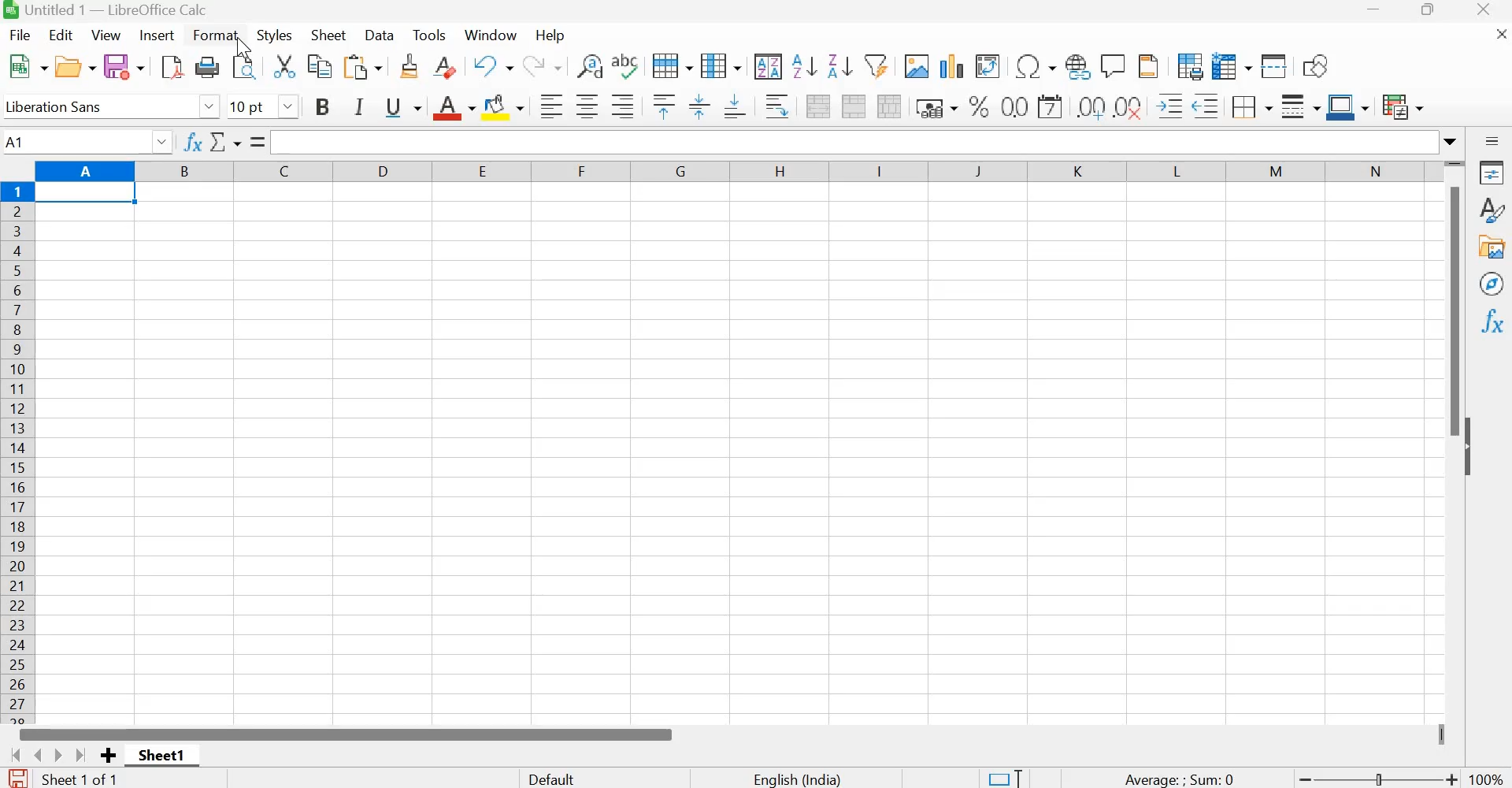 The width and height of the screenshot is (1512, 788). I want to click on Maximize, so click(1426, 13).